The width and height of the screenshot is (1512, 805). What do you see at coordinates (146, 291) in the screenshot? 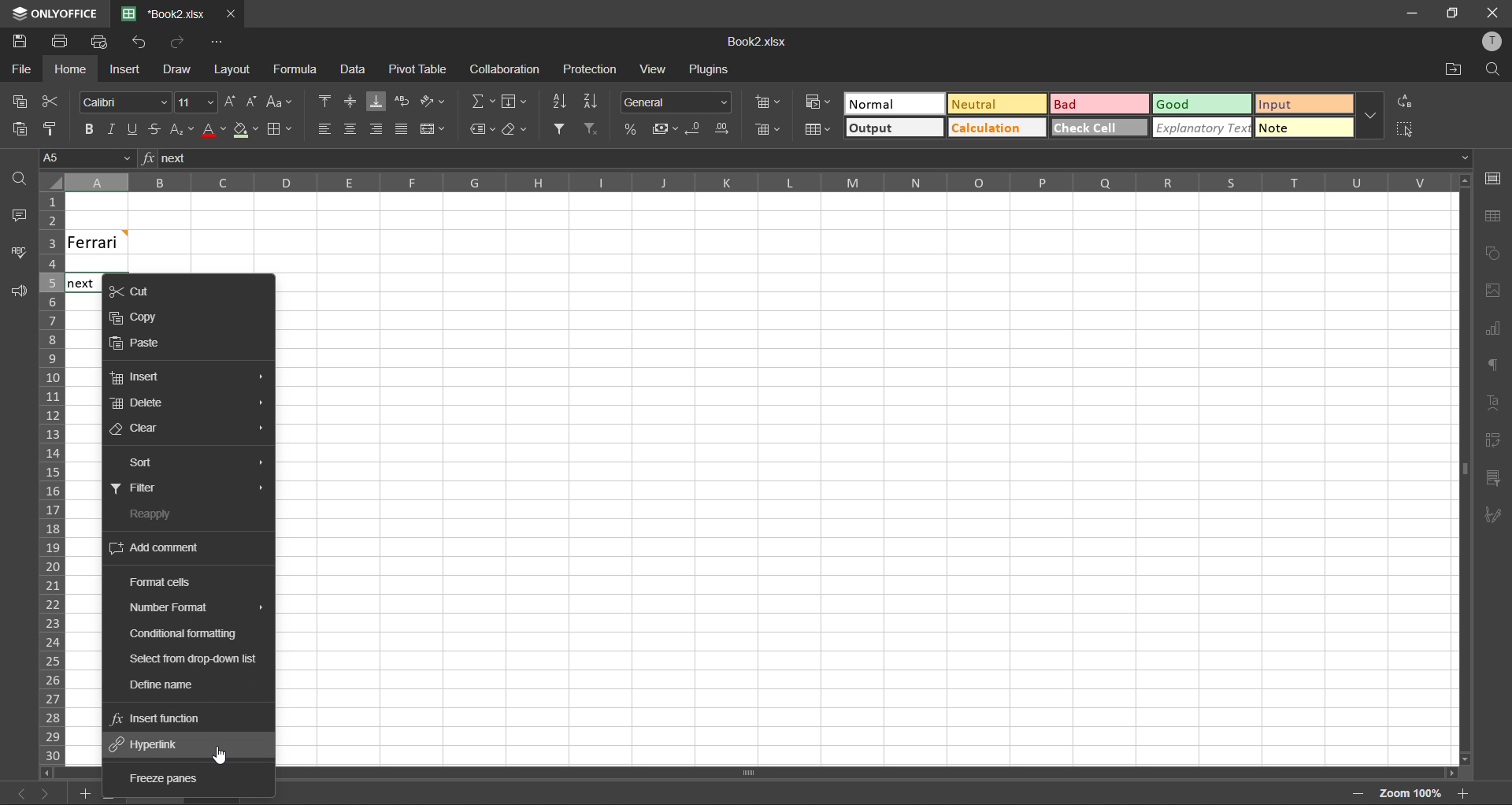
I see `cut` at bounding box center [146, 291].